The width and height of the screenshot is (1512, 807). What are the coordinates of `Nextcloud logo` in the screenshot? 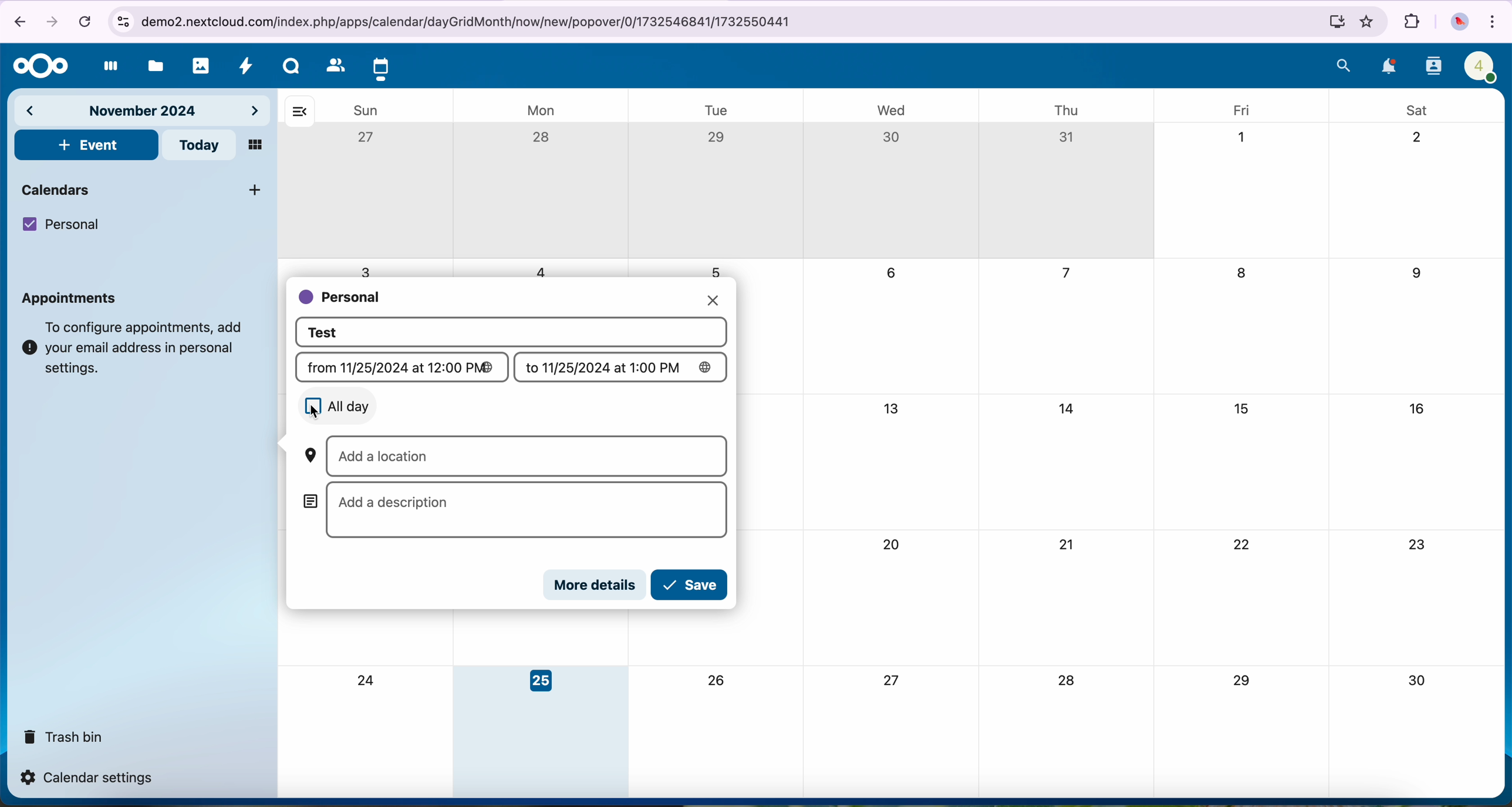 It's located at (39, 67).